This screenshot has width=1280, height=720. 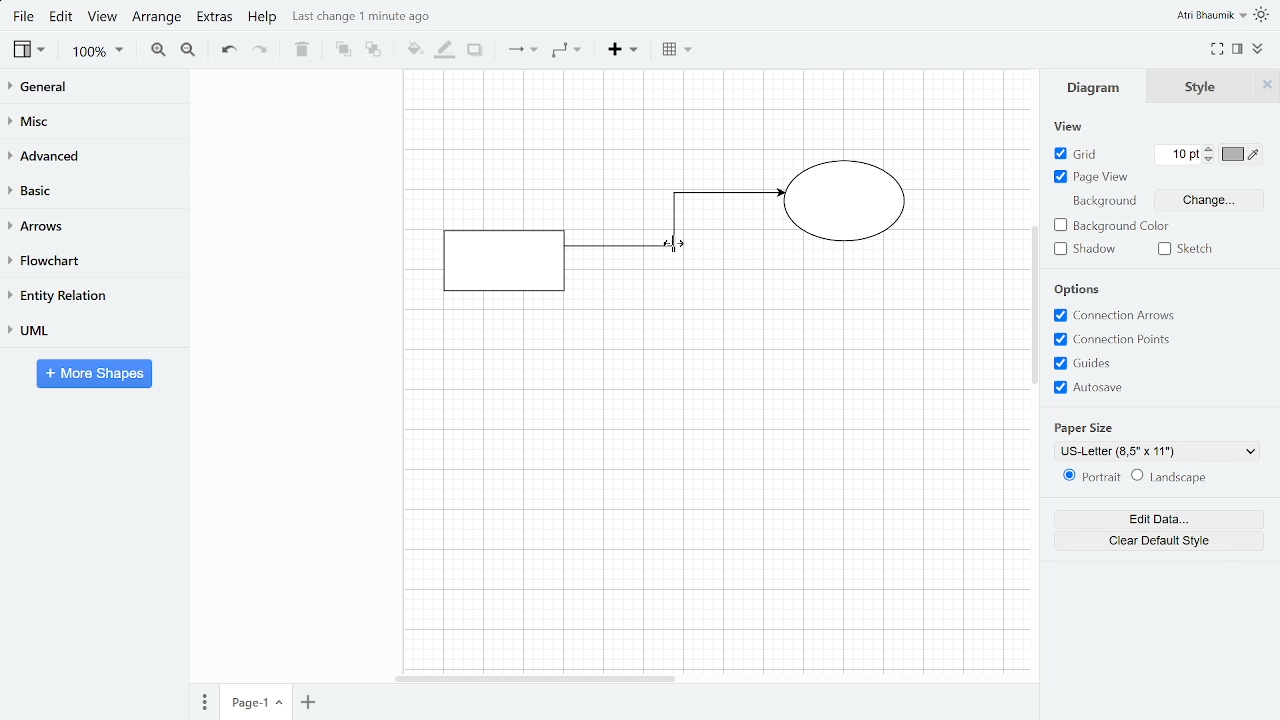 What do you see at coordinates (203, 702) in the screenshot?
I see `Pages` at bounding box center [203, 702].